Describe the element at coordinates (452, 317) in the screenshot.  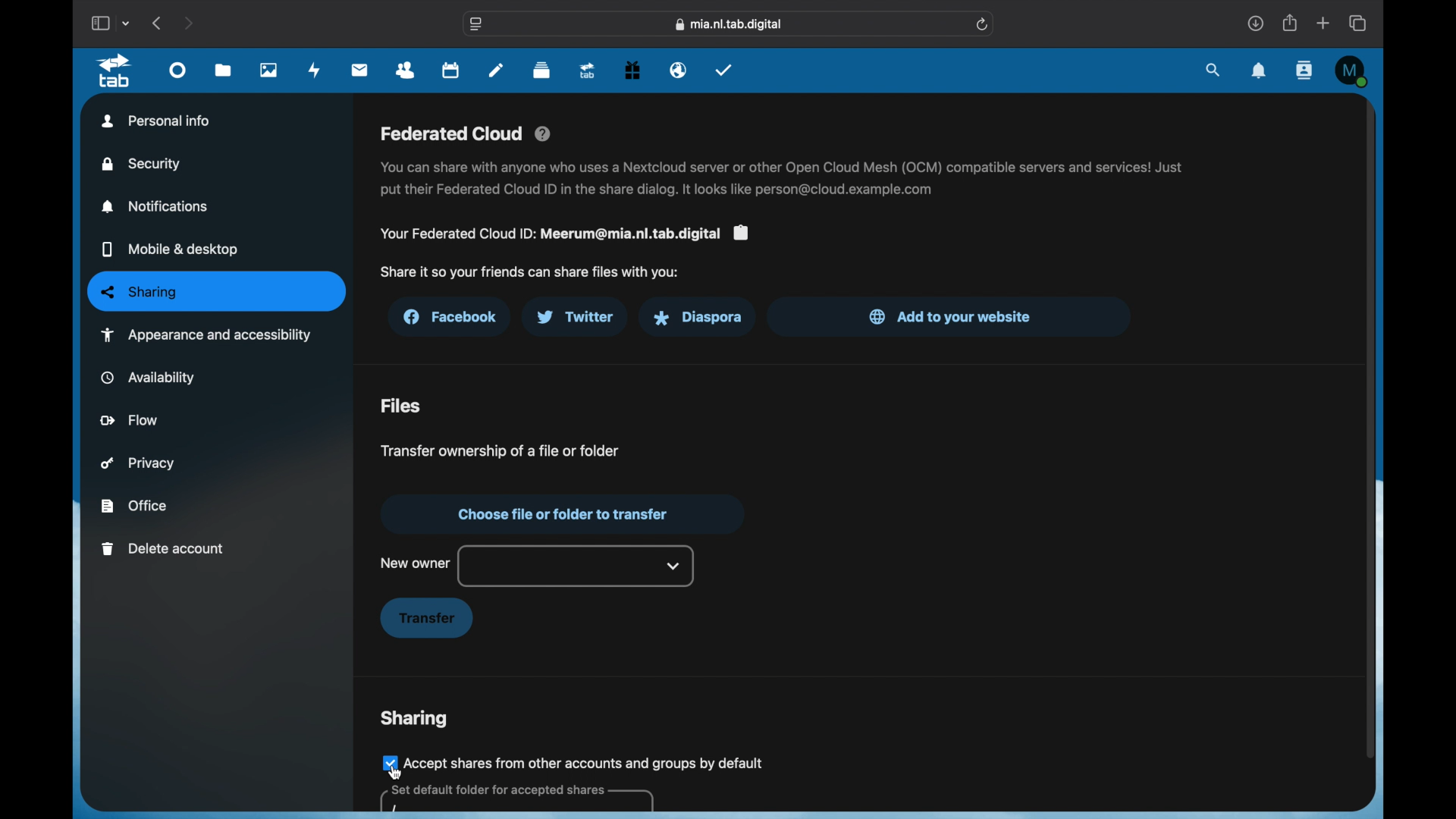
I see `facebook` at that location.